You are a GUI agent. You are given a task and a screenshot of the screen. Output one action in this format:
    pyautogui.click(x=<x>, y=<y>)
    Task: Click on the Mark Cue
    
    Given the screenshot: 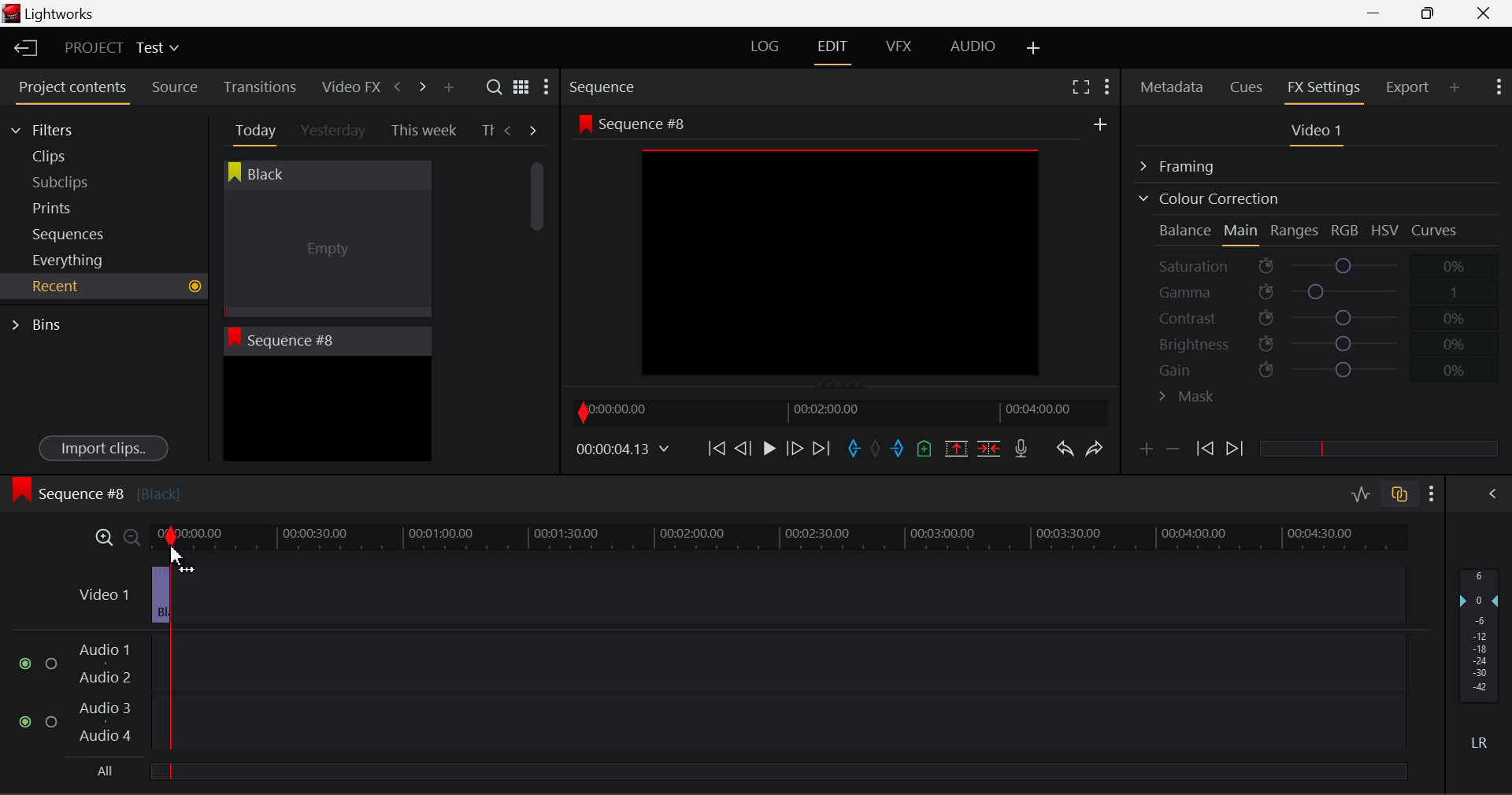 What is the action you would take?
    pyautogui.click(x=923, y=449)
    